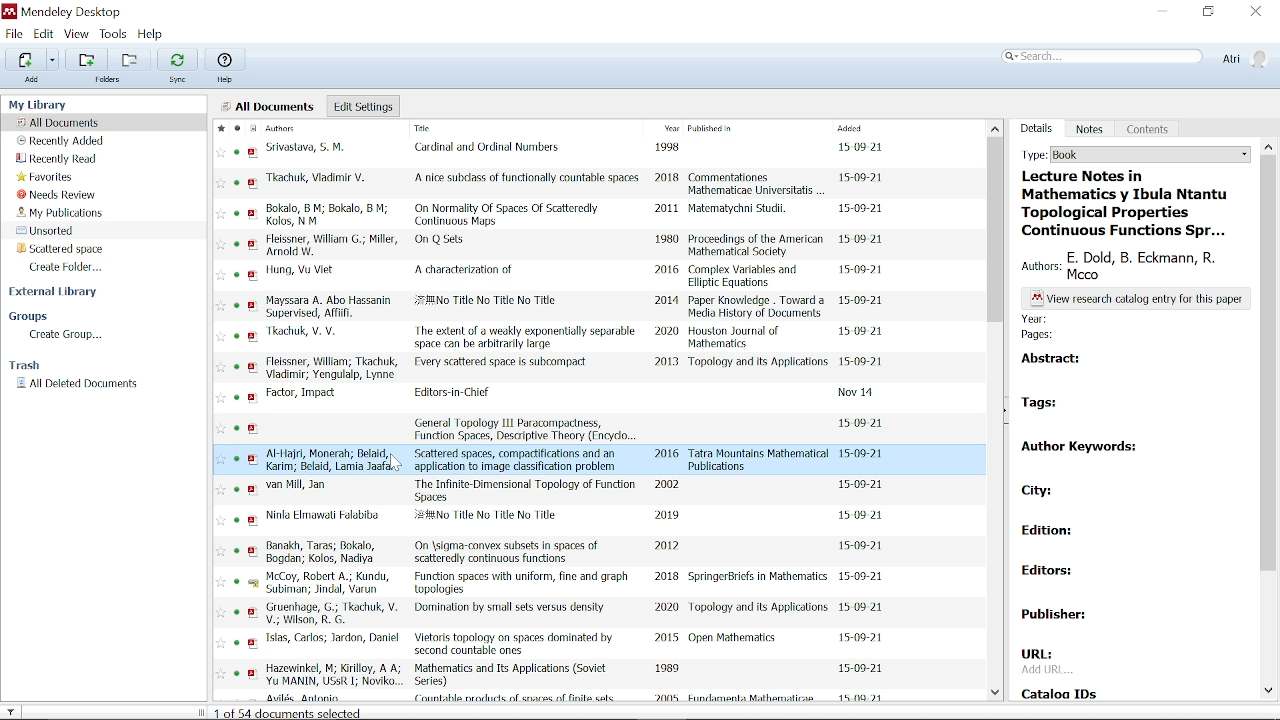  I want to click on , so click(1038, 130).